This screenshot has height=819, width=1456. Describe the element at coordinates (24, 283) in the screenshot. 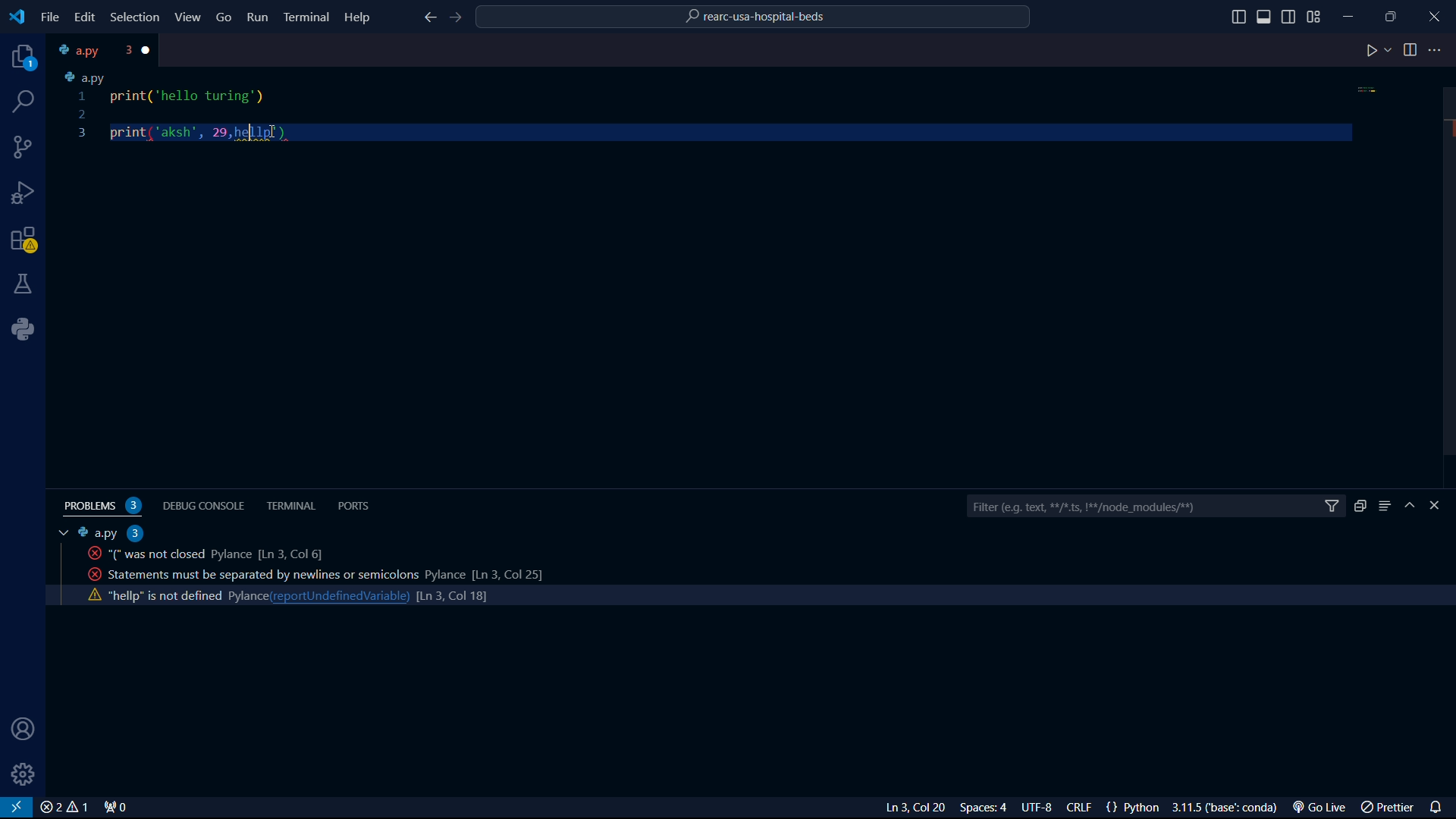

I see `labs` at that location.